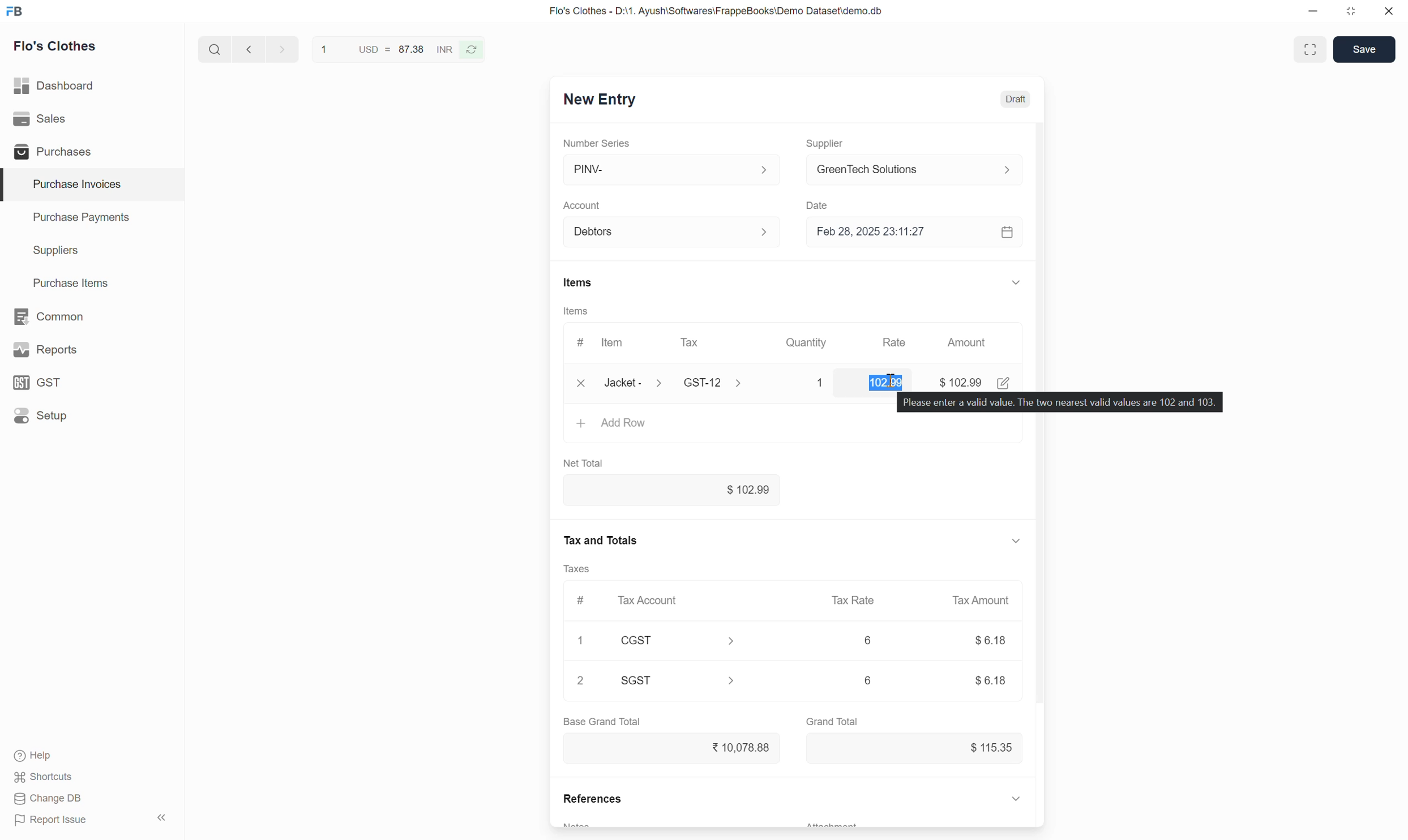  What do you see at coordinates (579, 282) in the screenshot?
I see `Items` at bounding box center [579, 282].